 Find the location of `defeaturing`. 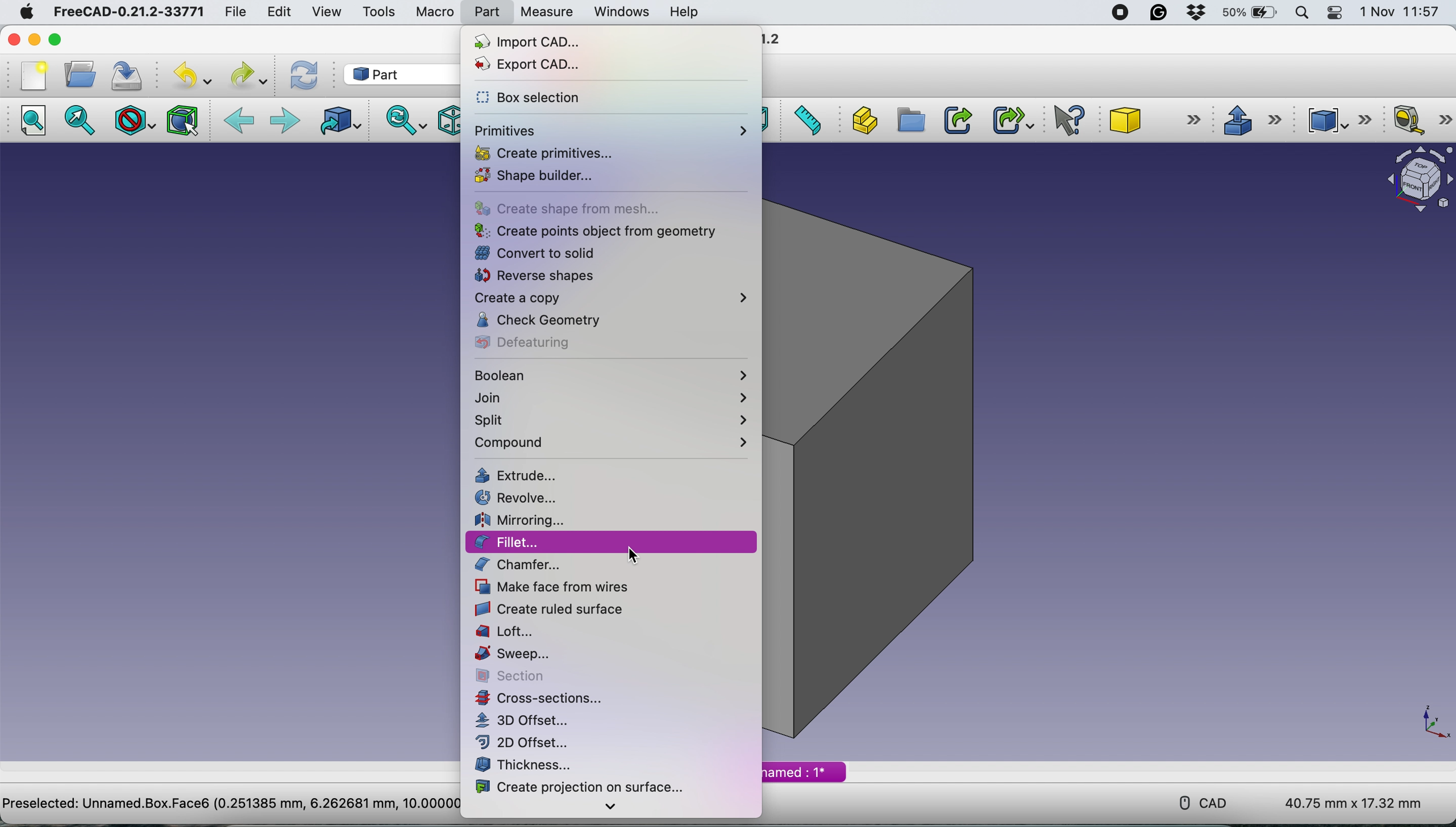

defeaturing is located at coordinates (533, 341).